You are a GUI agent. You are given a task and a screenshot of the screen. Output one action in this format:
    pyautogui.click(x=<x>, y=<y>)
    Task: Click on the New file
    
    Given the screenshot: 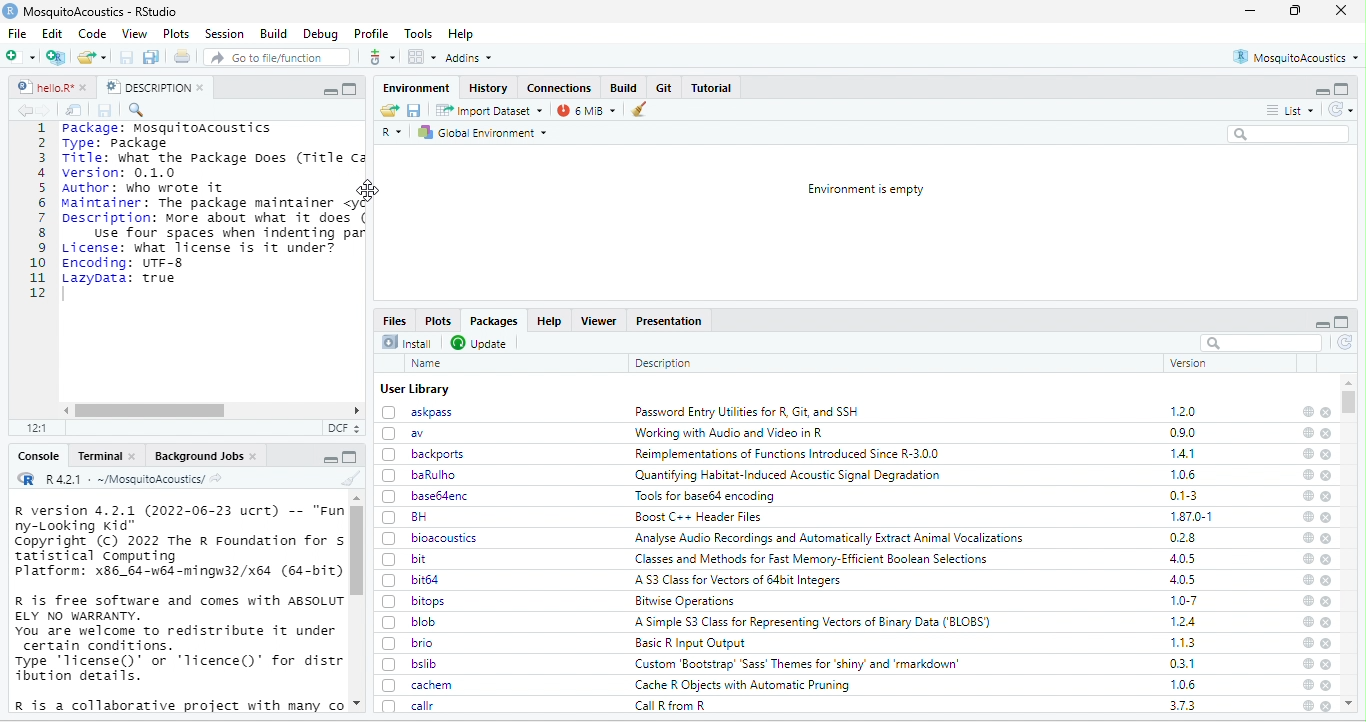 What is the action you would take?
    pyautogui.click(x=24, y=56)
    